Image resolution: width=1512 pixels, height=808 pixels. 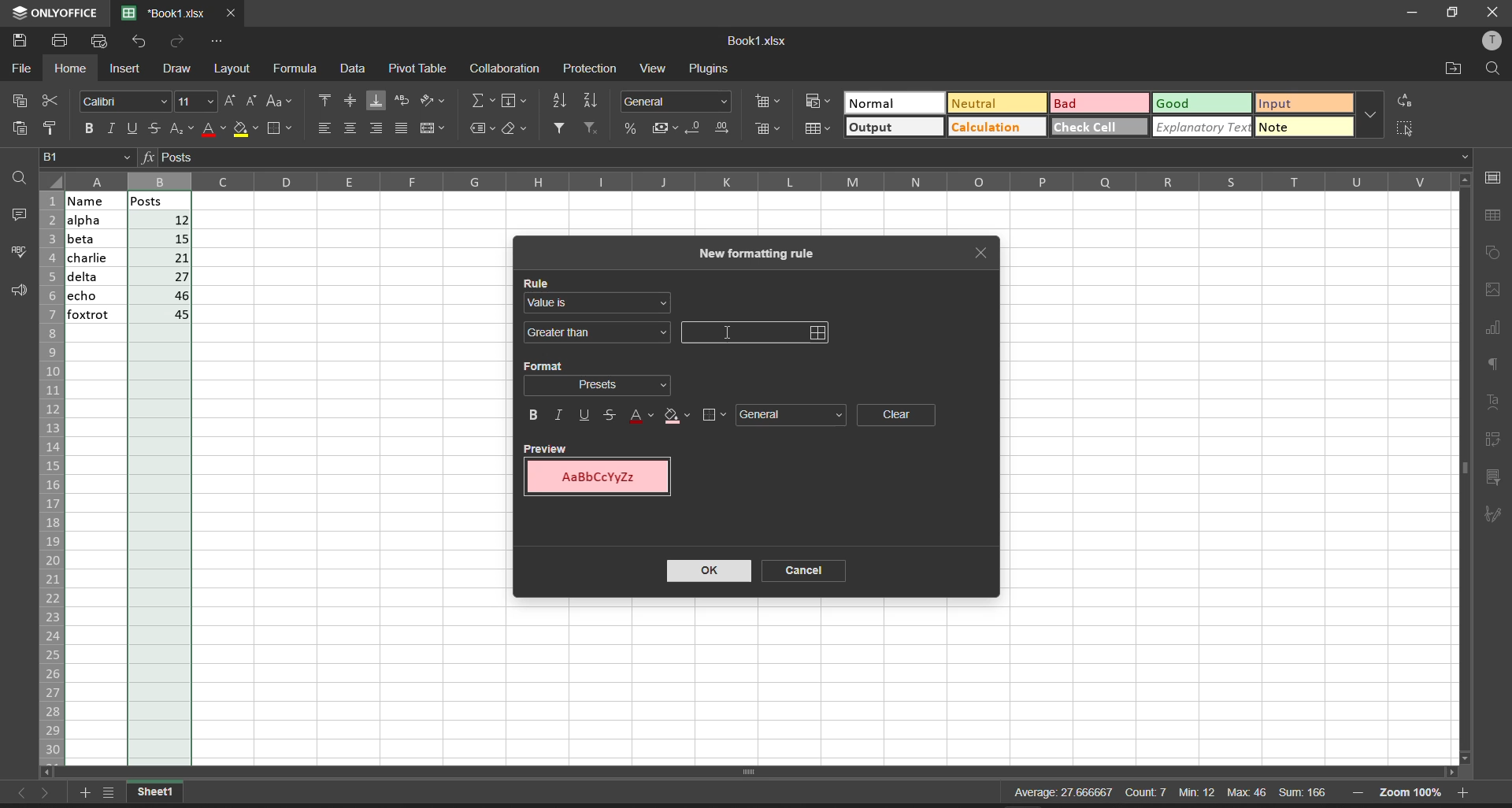 I want to click on strikethrough, so click(x=154, y=126).